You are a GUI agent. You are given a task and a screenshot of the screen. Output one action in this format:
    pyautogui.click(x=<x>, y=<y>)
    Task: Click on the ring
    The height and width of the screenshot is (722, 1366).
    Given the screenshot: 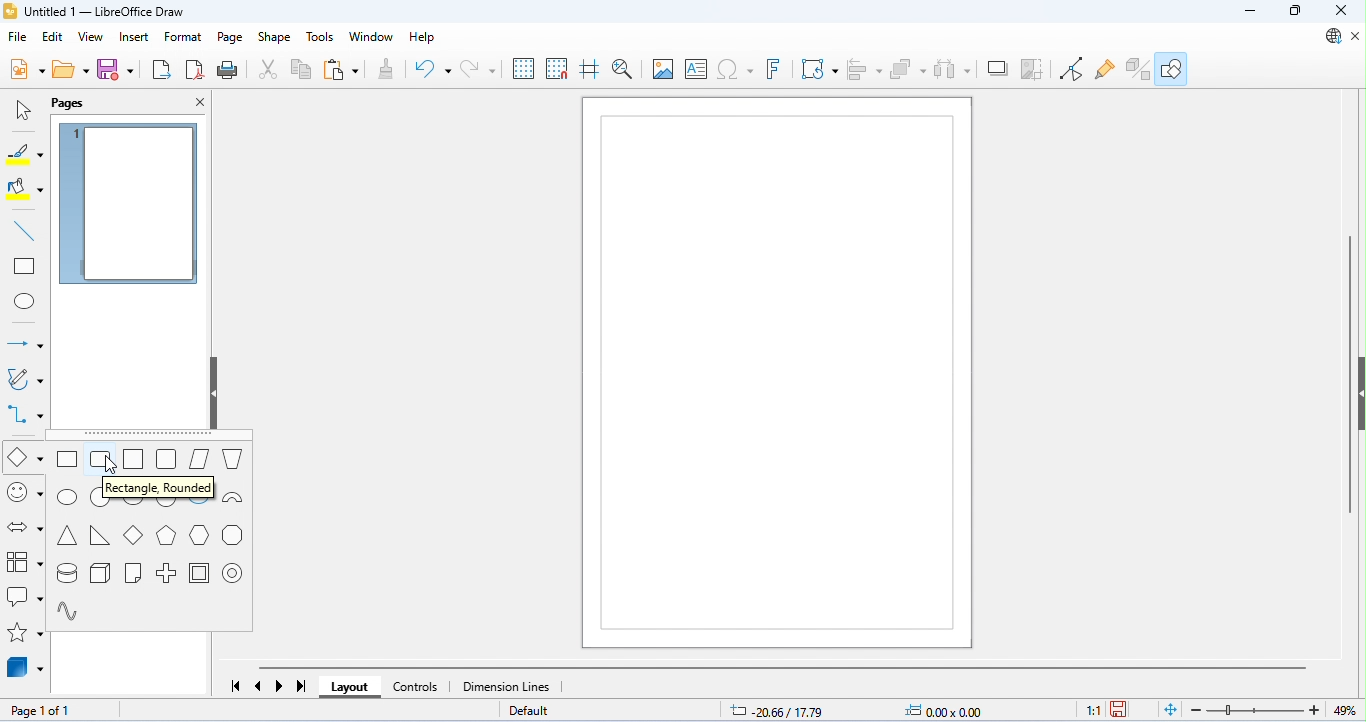 What is the action you would take?
    pyautogui.click(x=233, y=573)
    